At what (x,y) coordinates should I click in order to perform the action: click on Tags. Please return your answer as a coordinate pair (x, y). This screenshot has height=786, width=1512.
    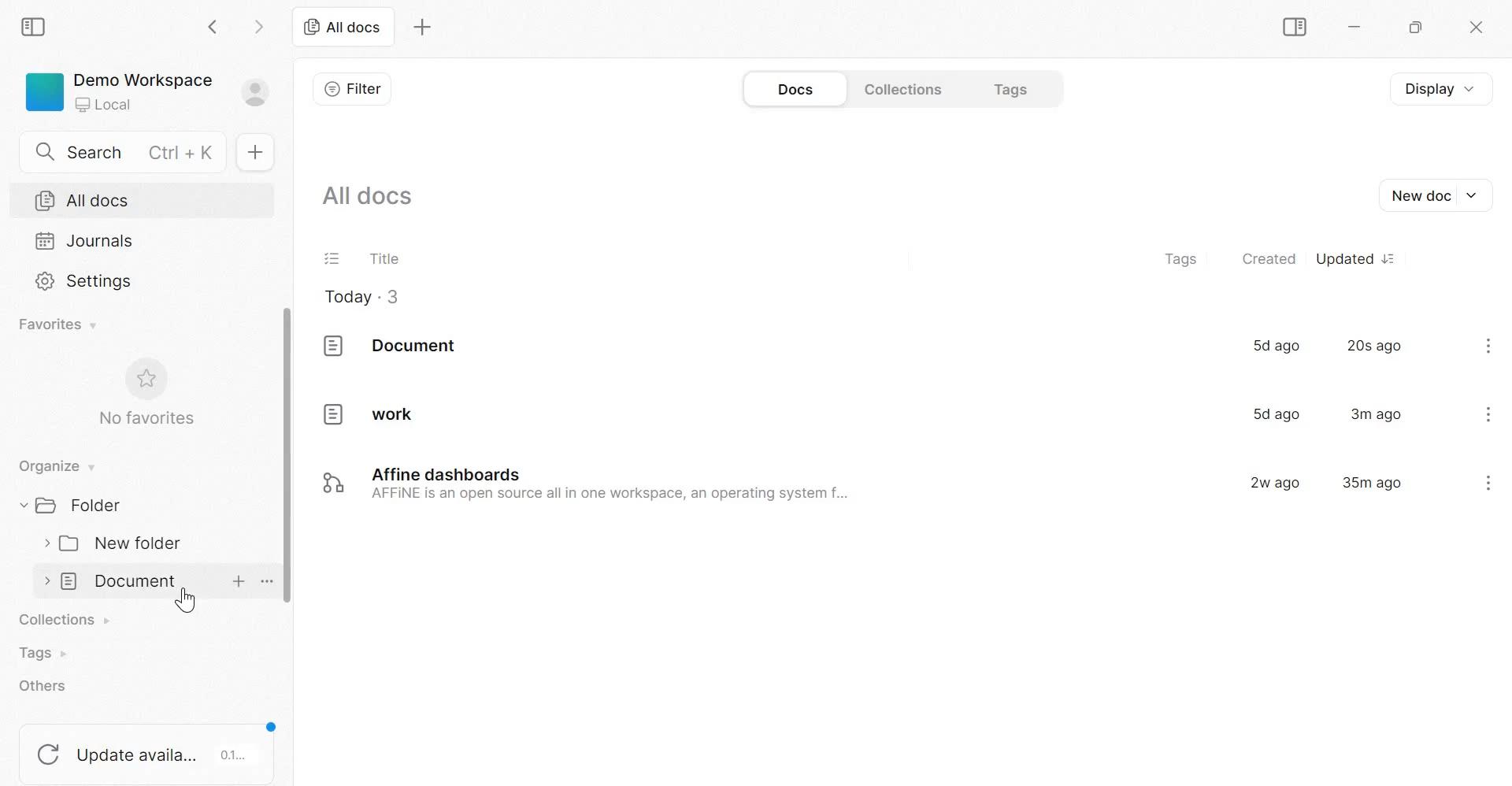
    Looking at the image, I should click on (43, 653).